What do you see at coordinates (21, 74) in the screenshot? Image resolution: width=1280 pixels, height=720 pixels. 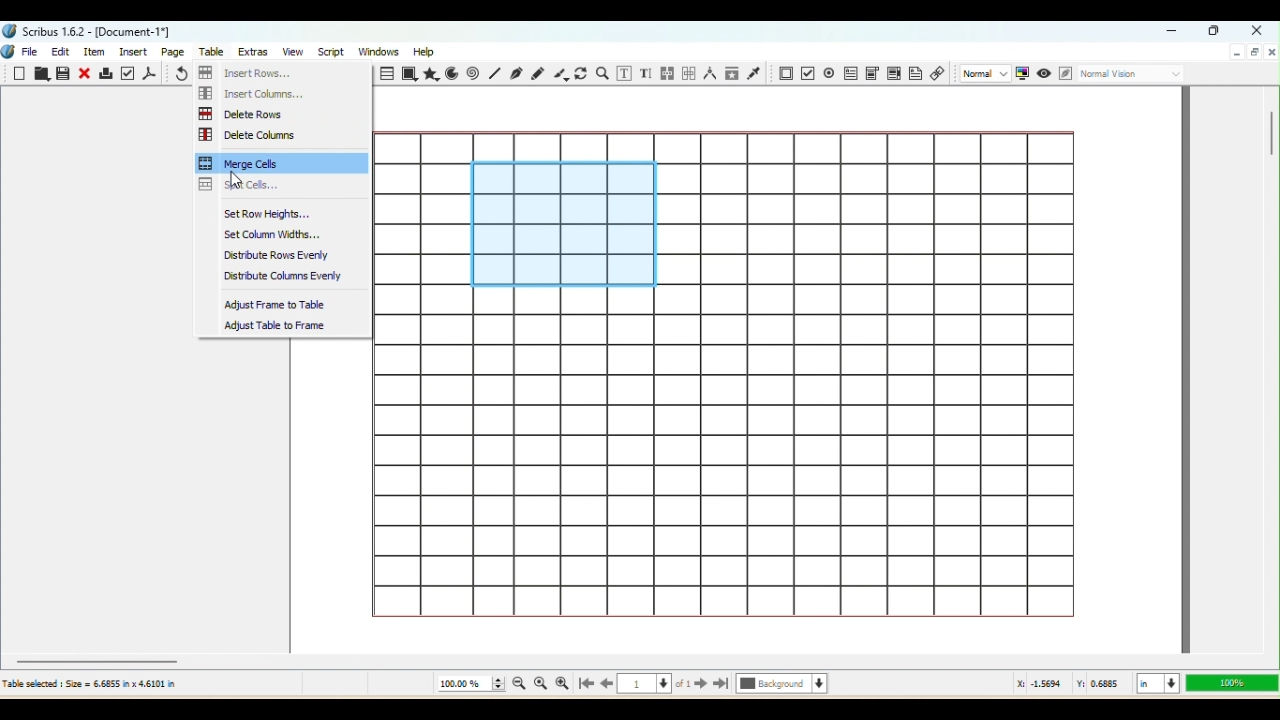 I see `New` at bounding box center [21, 74].